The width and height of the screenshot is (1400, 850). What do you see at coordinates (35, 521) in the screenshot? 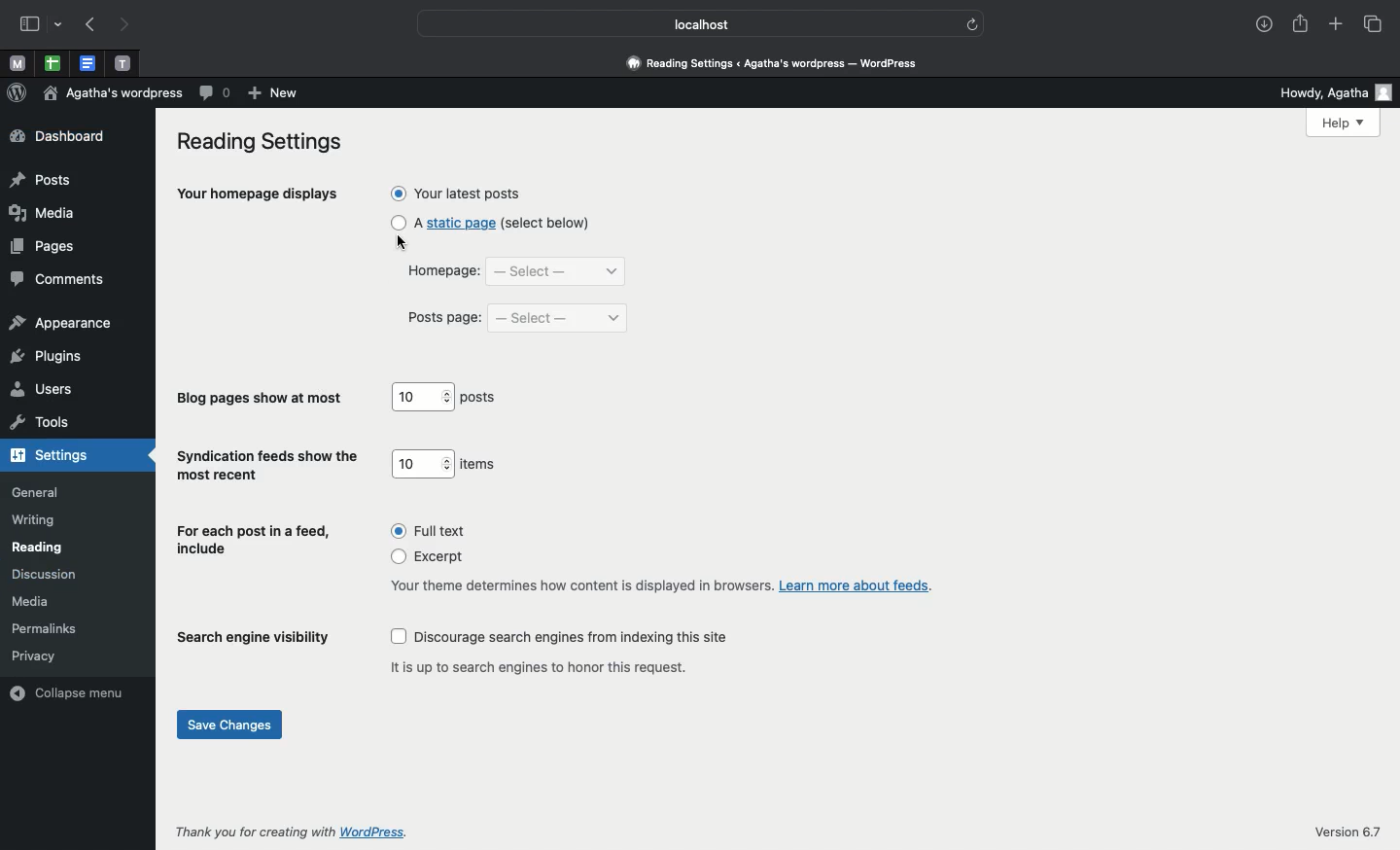
I see `writing` at bounding box center [35, 521].